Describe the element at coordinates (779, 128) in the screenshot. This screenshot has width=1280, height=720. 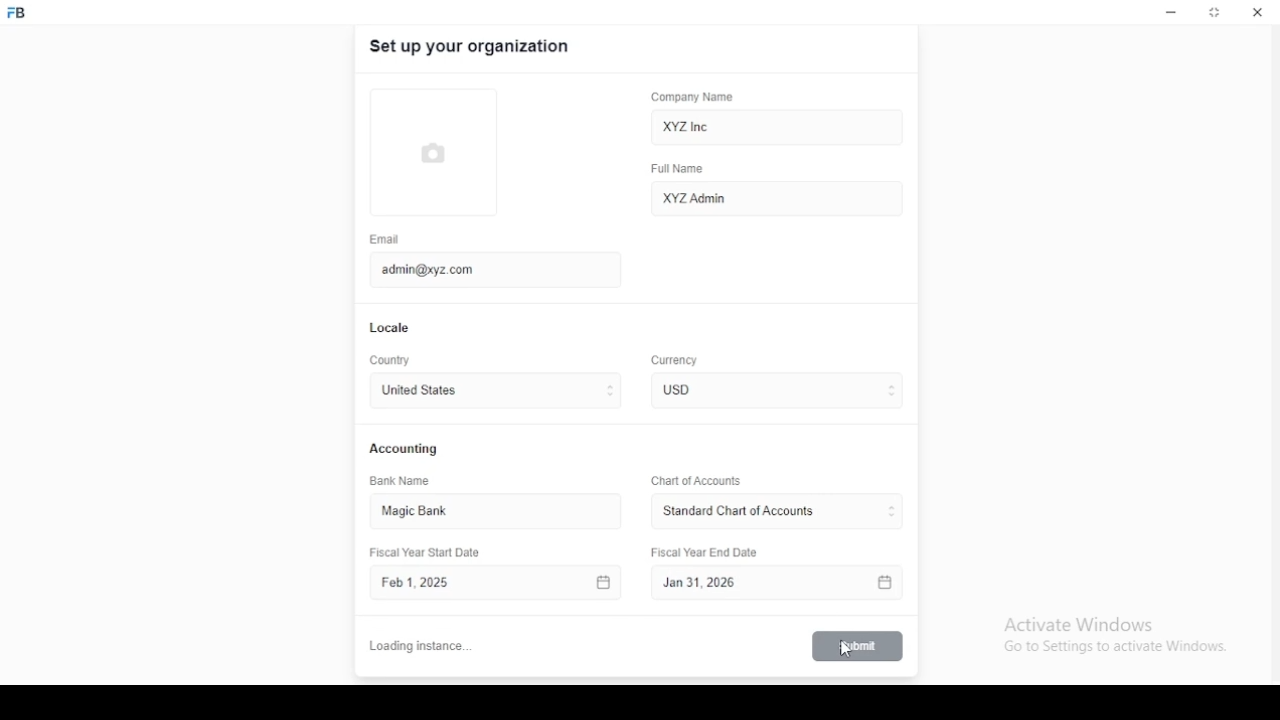
I see `XYZ Inc` at that location.